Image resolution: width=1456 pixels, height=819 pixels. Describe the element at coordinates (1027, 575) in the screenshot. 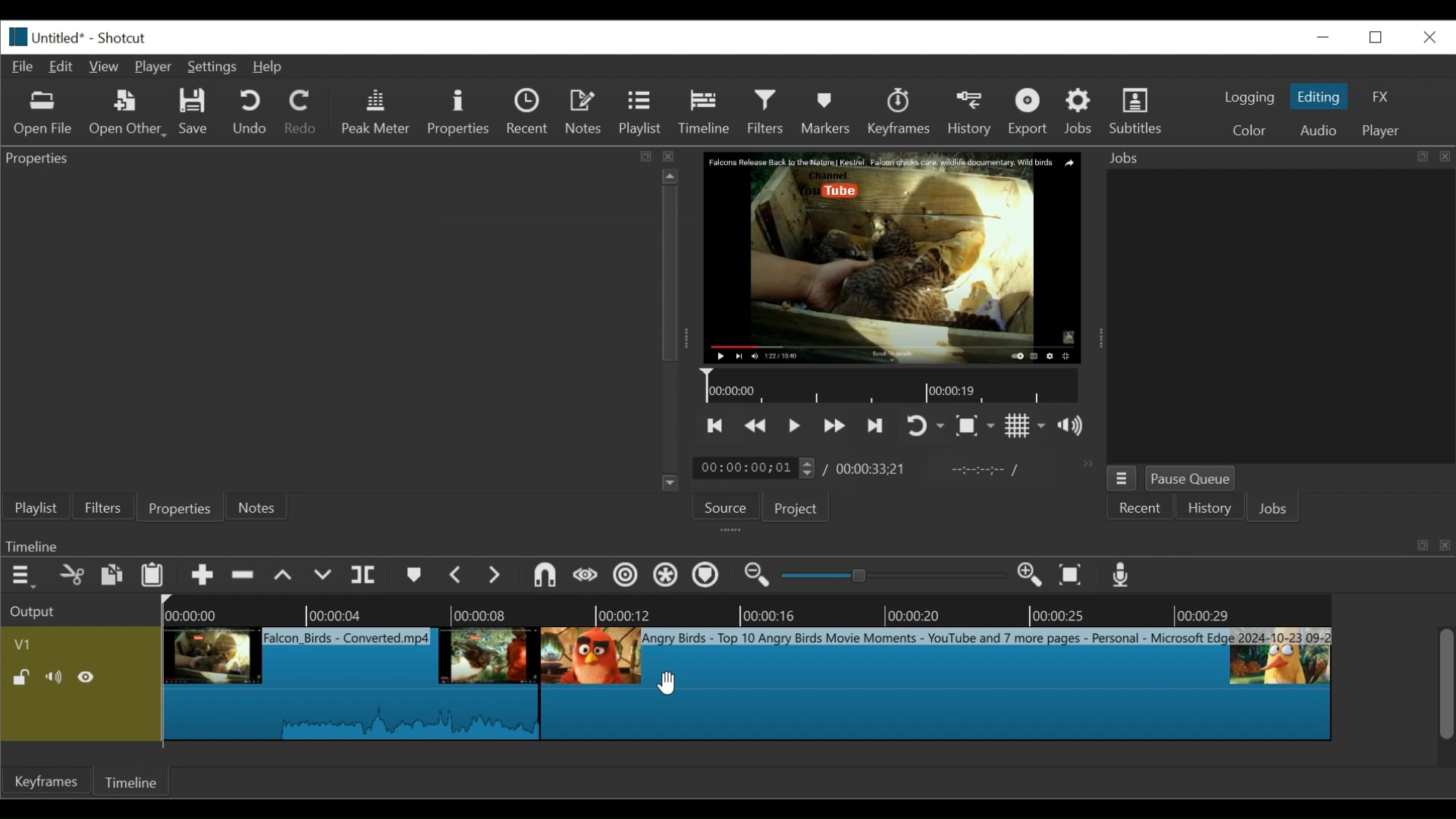

I see `Zoom in` at that location.